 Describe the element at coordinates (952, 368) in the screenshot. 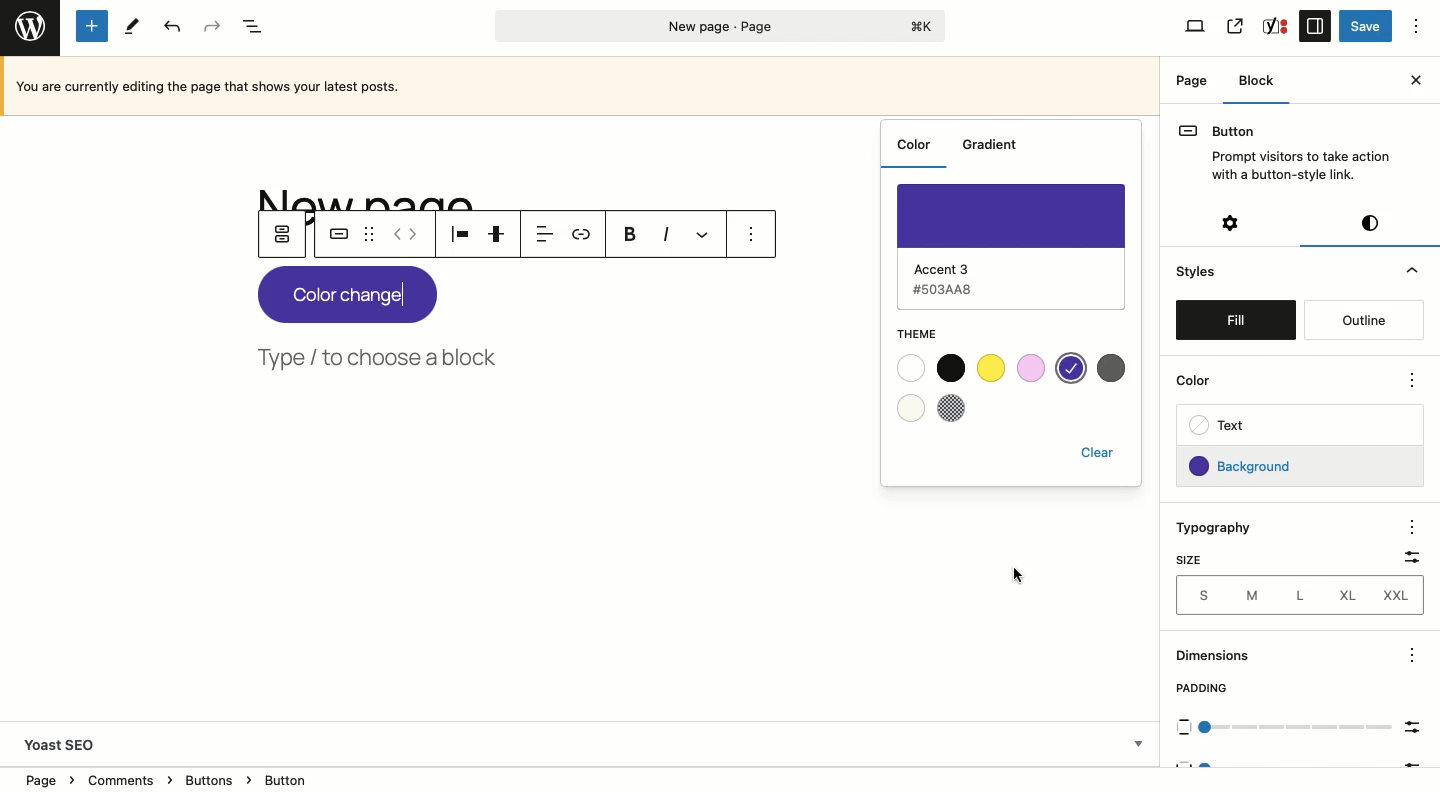

I see `Black` at that location.